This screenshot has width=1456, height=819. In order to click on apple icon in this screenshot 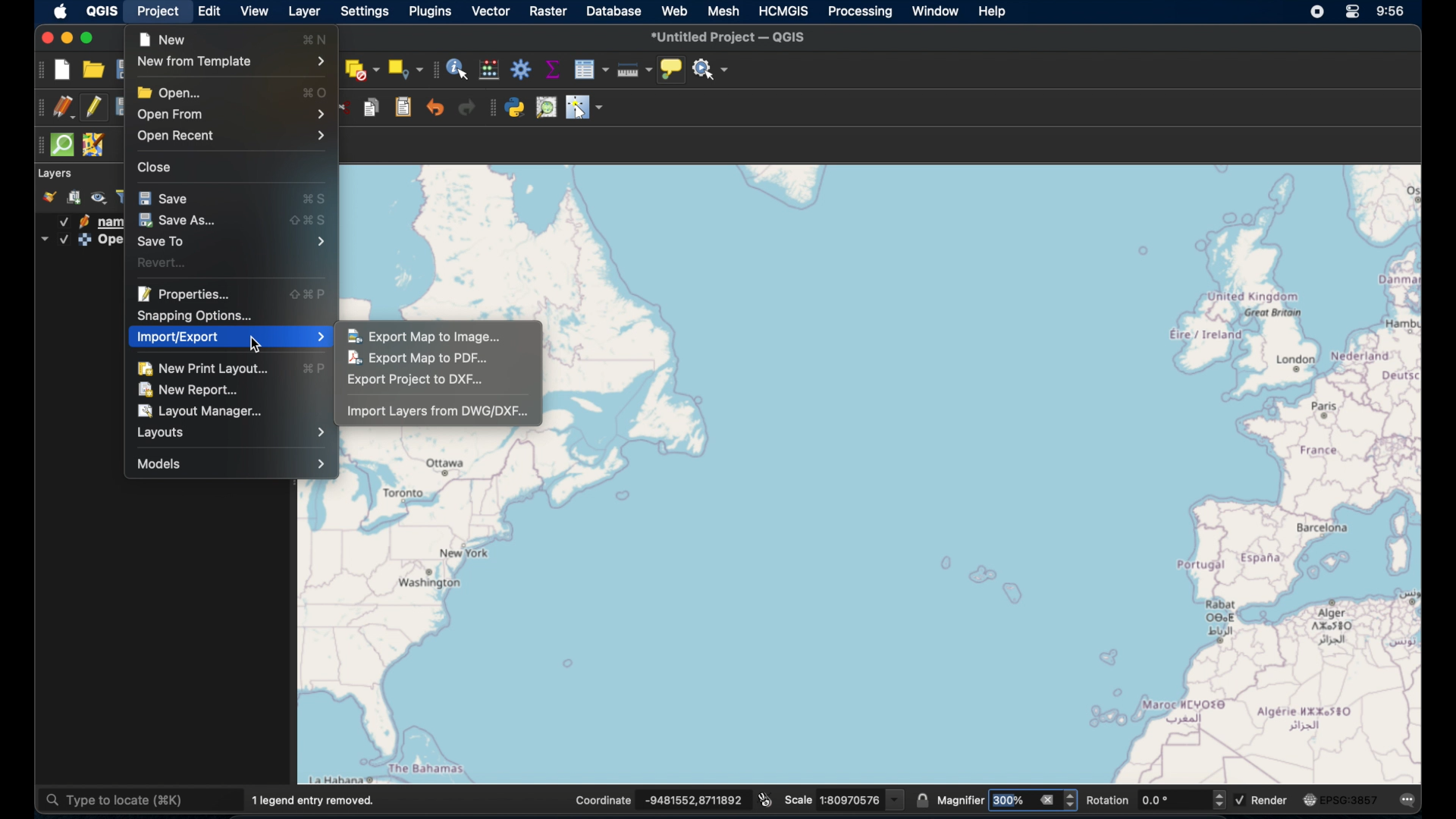, I will do `click(61, 12)`.